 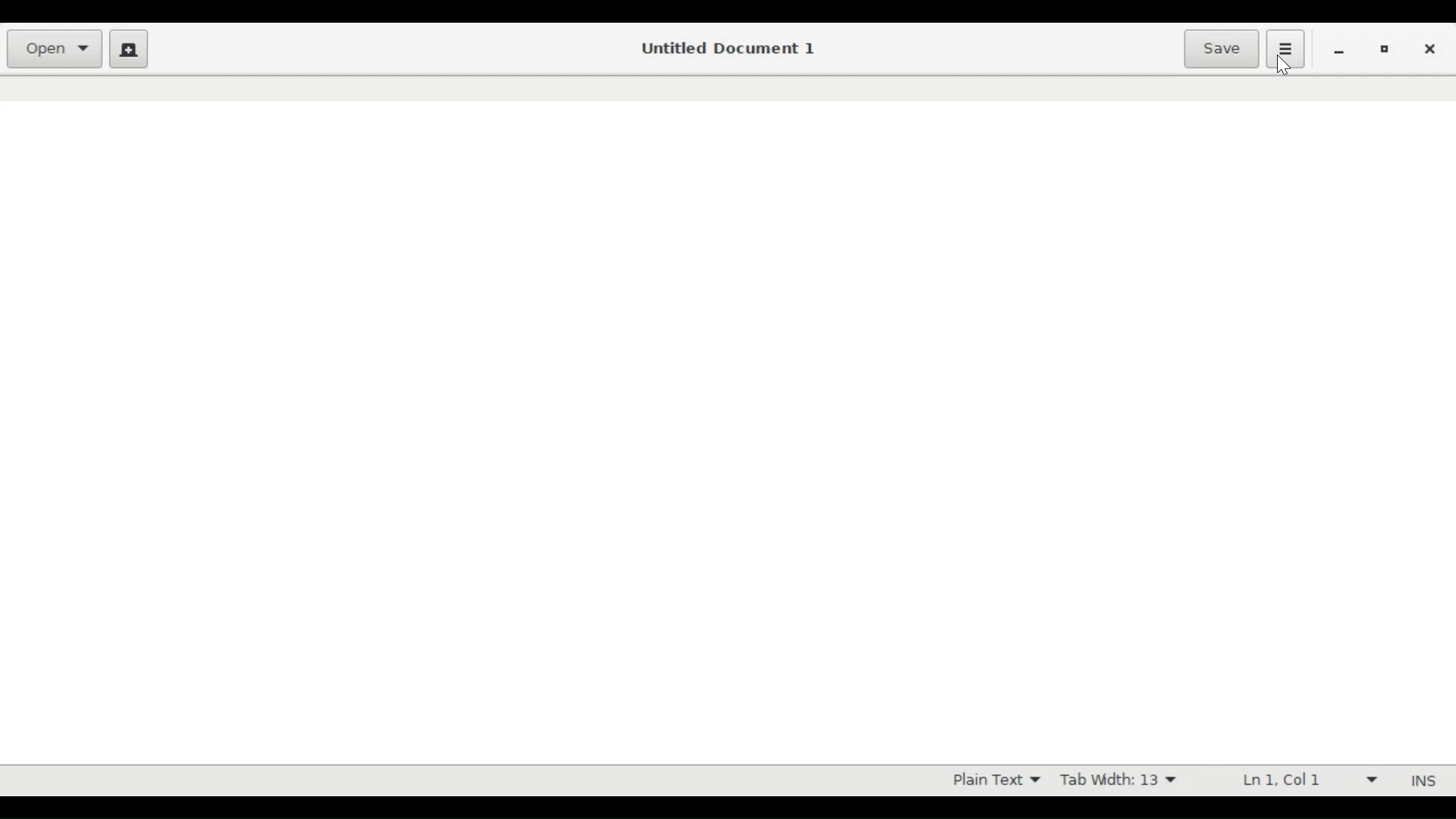 I want to click on Open, so click(x=53, y=49).